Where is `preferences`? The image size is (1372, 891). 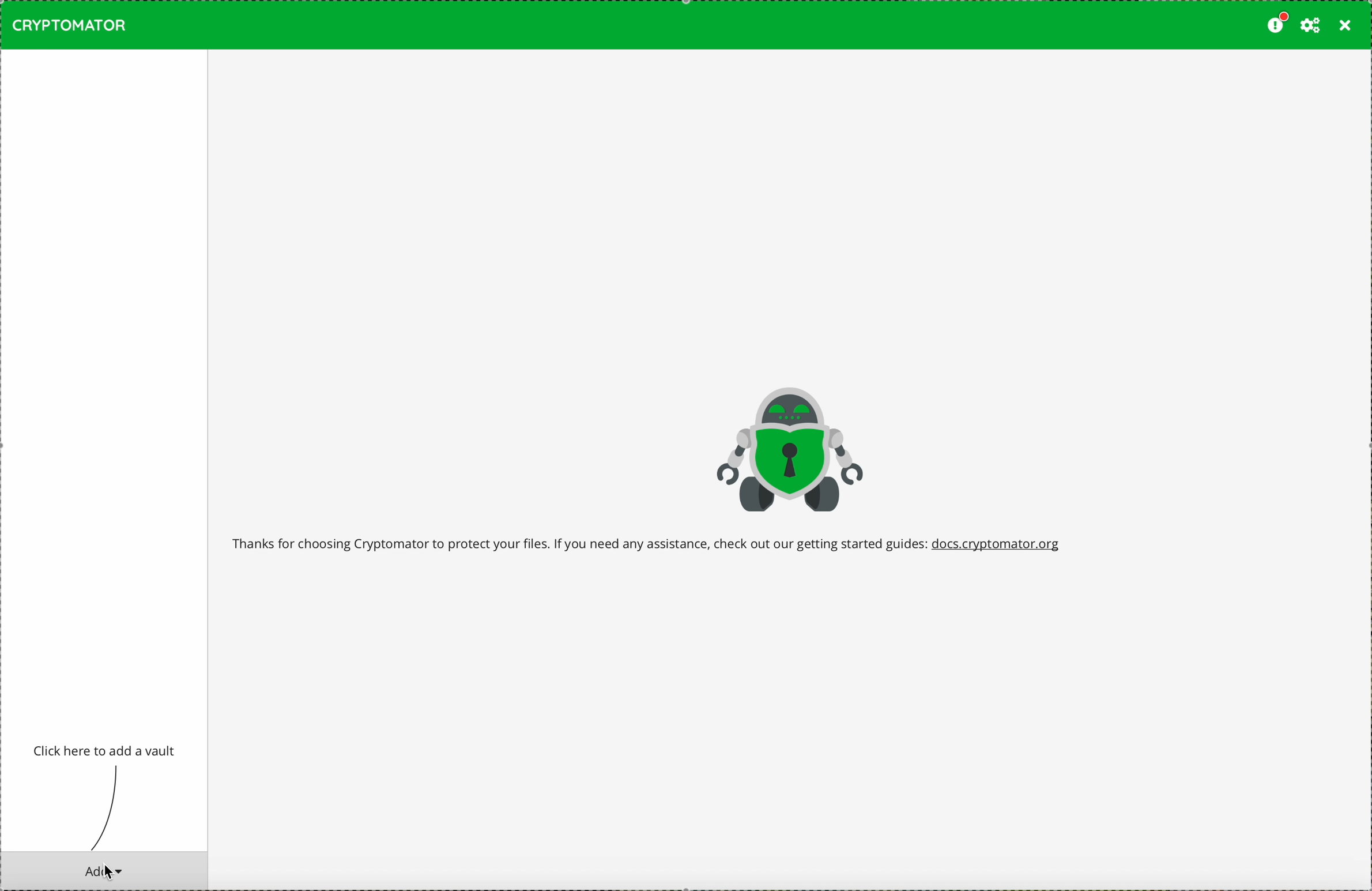
preferences is located at coordinates (1310, 25).